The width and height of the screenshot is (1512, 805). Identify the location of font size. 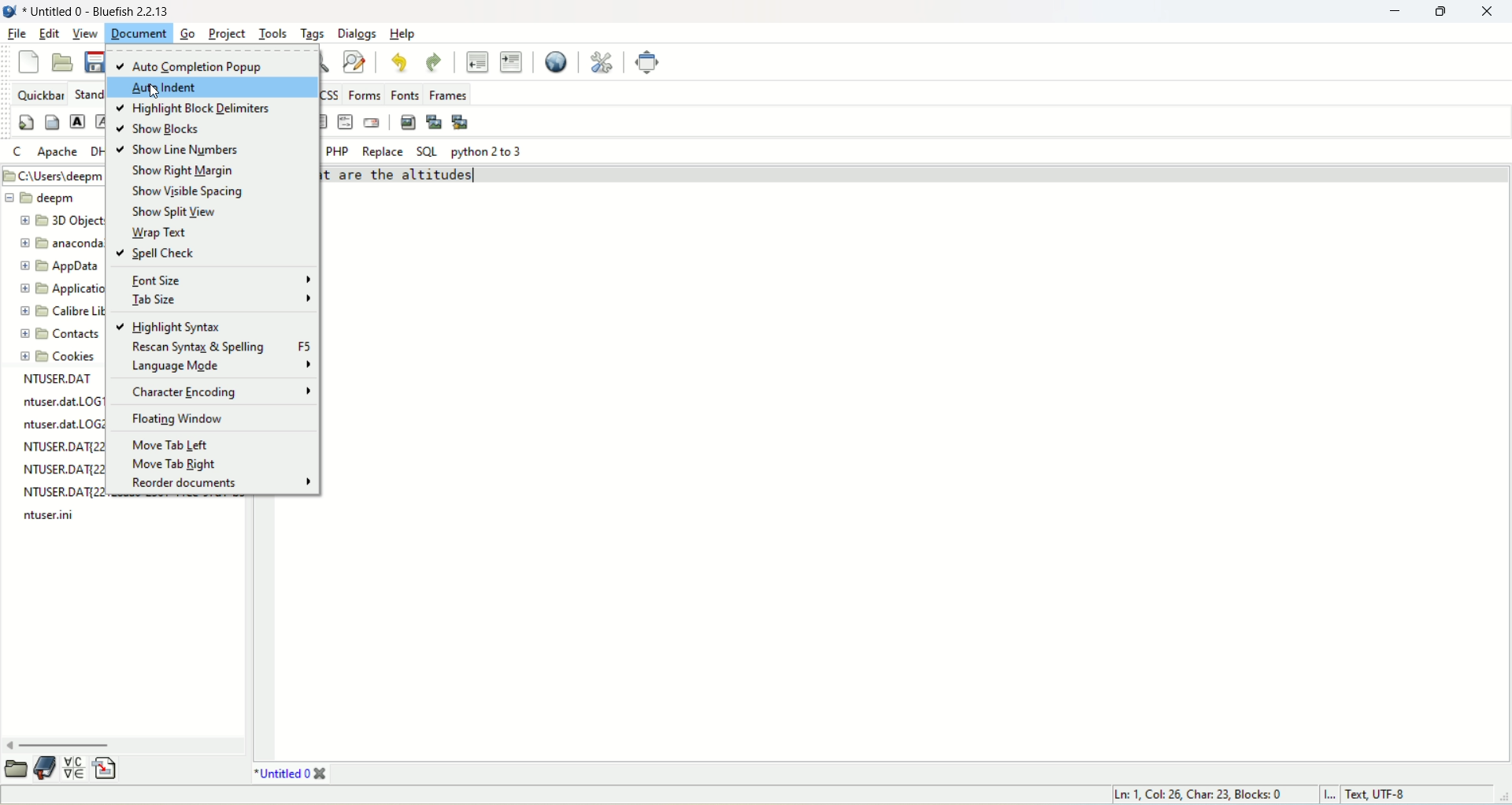
(219, 278).